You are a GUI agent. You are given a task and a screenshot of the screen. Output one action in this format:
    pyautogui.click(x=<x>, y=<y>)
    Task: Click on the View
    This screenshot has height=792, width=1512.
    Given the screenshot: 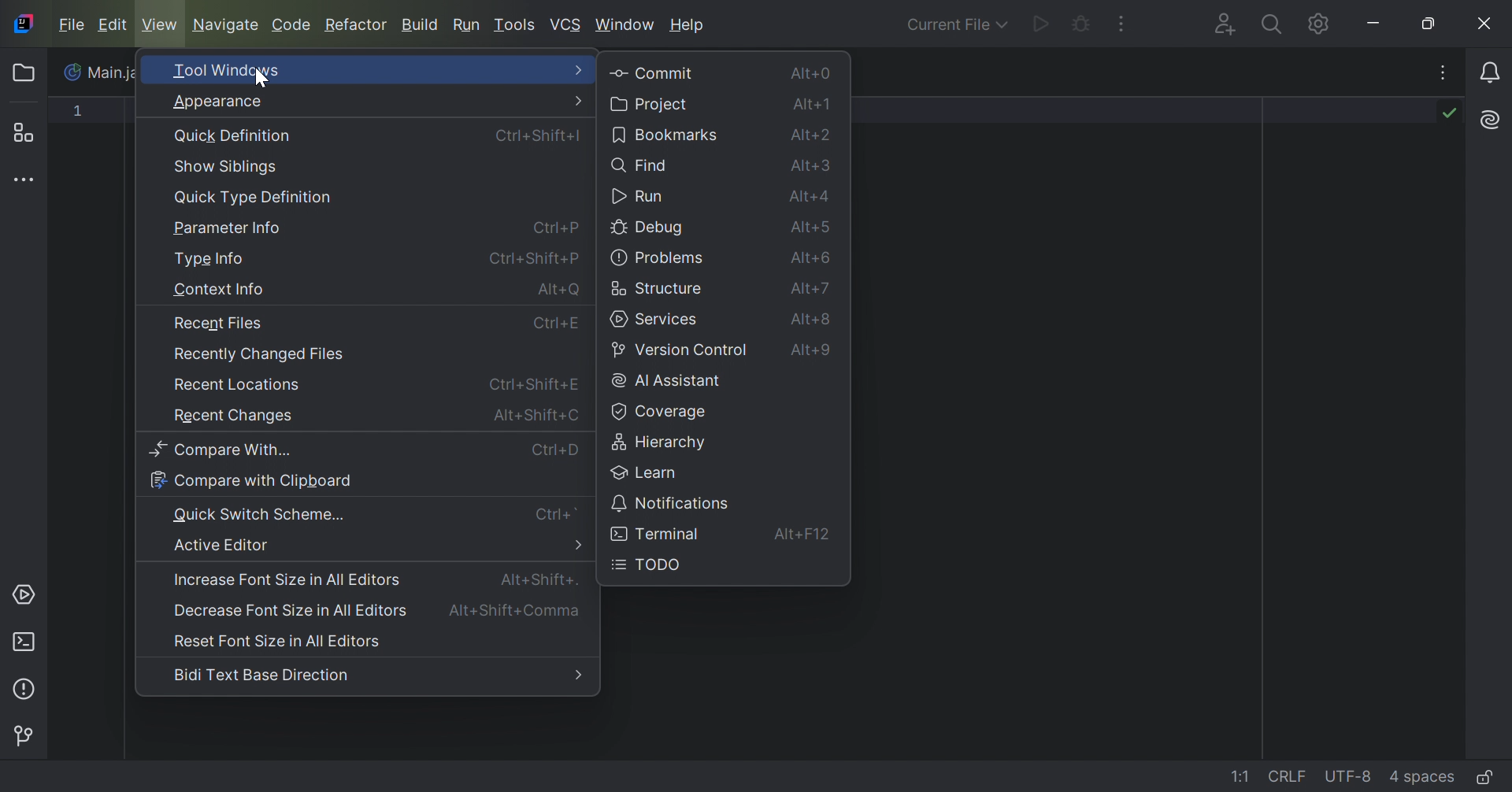 What is the action you would take?
    pyautogui.click(x=161, y=24)
    